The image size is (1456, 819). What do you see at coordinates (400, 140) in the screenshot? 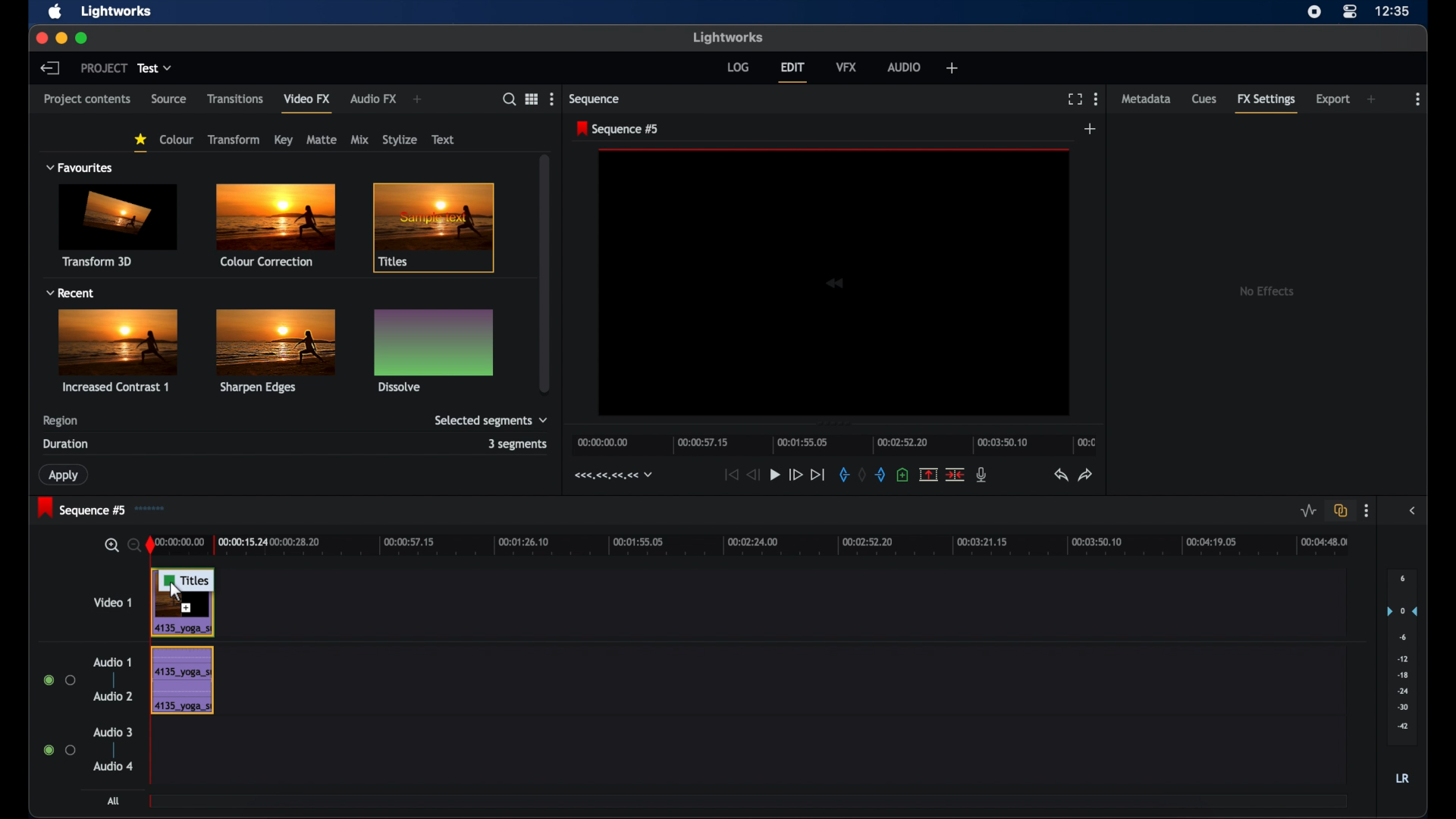
I see `stylize` at bounding box center [400, 140].